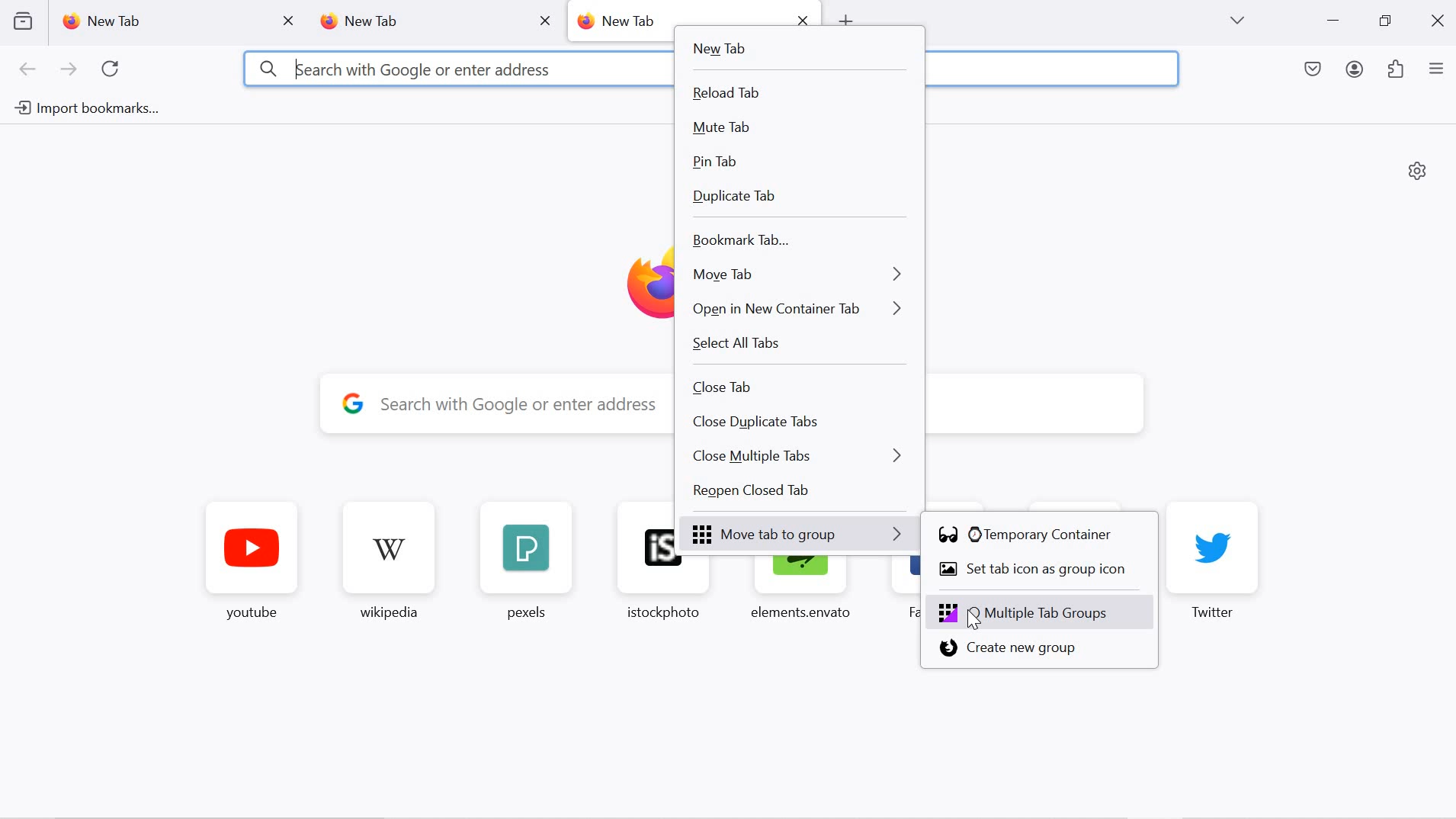 Image resolution: width=1456 pixels, height=819 pixels. Describe the element at coordinates (797, 51) in the screenshot. I see `new tab` at that location.